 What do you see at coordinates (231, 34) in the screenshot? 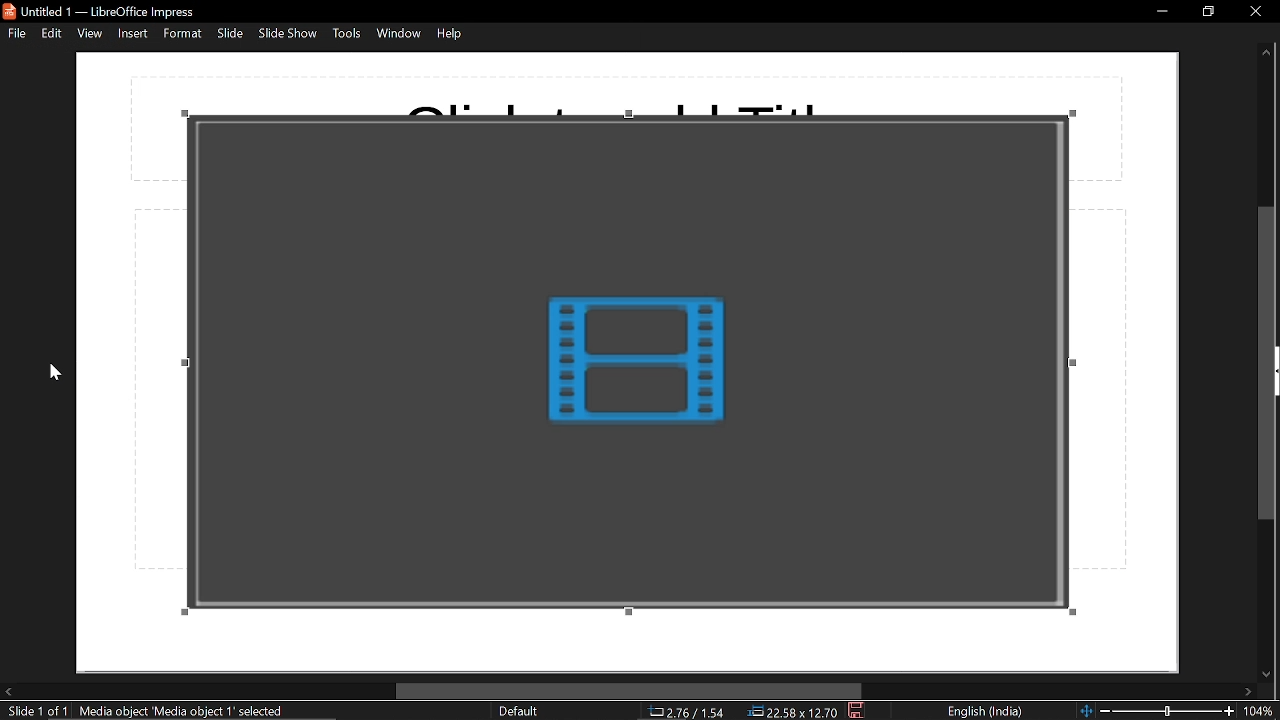
I see `slide` at bounding box center [231, 34].